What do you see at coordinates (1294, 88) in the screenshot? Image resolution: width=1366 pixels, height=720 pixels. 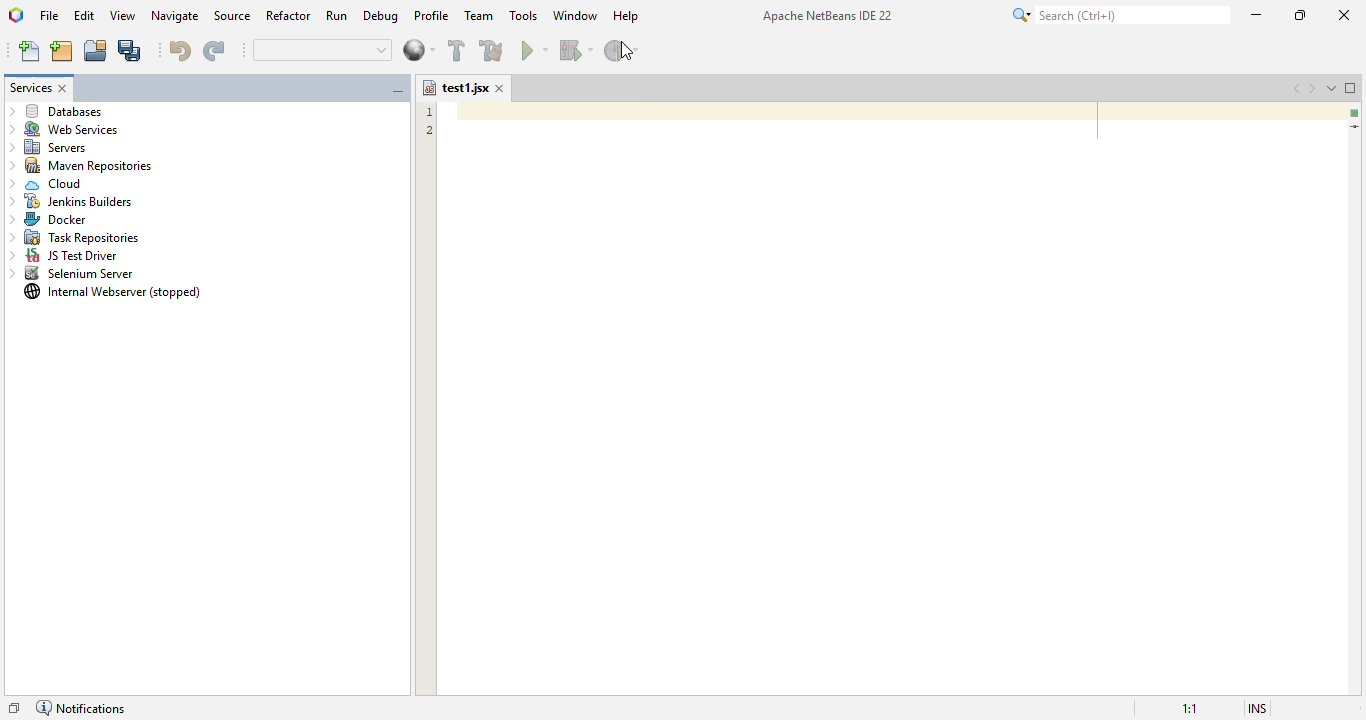 I see `scroll documents left` at bounding box center [1294, 88].